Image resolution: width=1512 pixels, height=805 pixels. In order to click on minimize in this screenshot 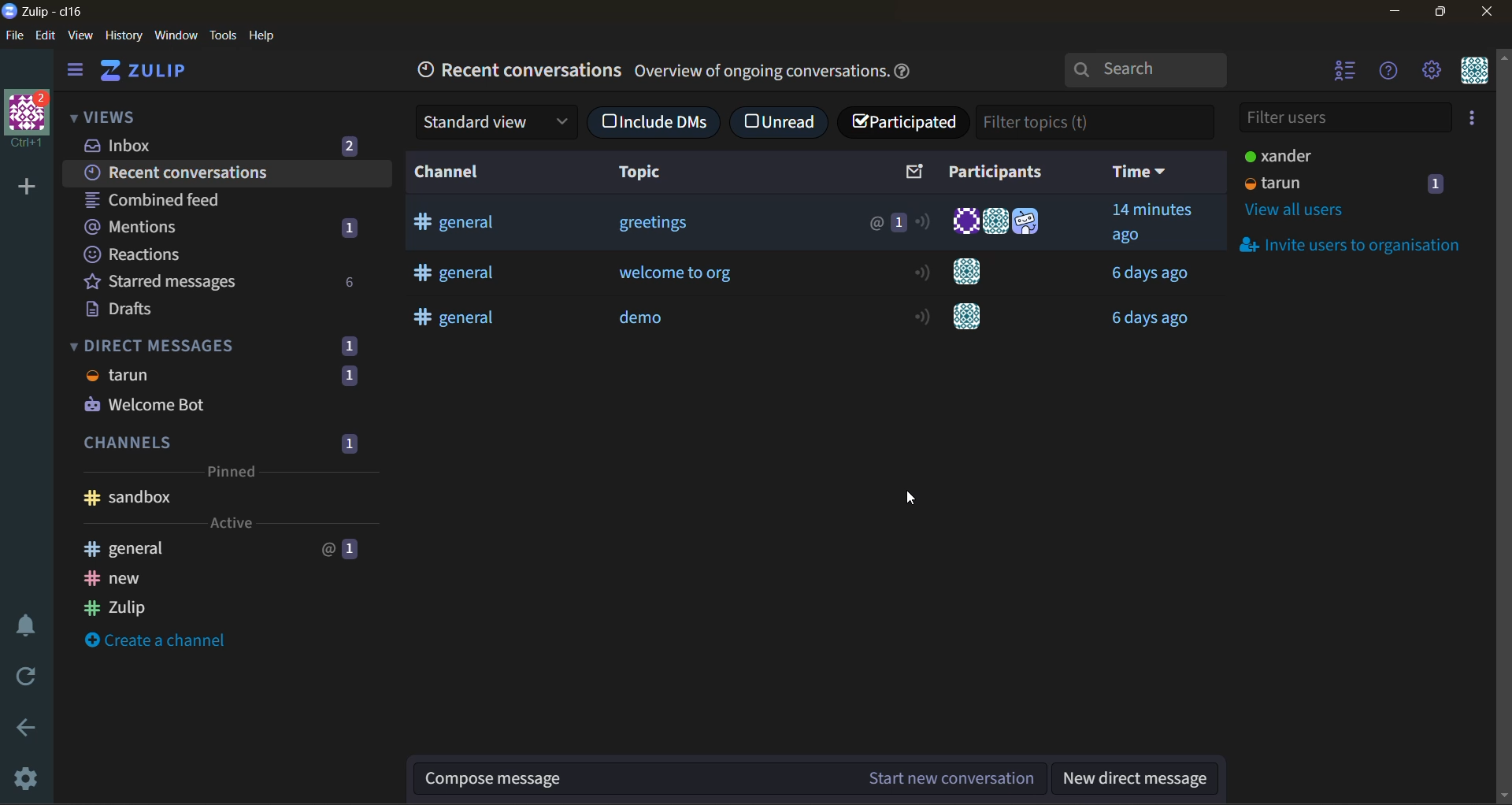, I will do `click(1403, 15)`.